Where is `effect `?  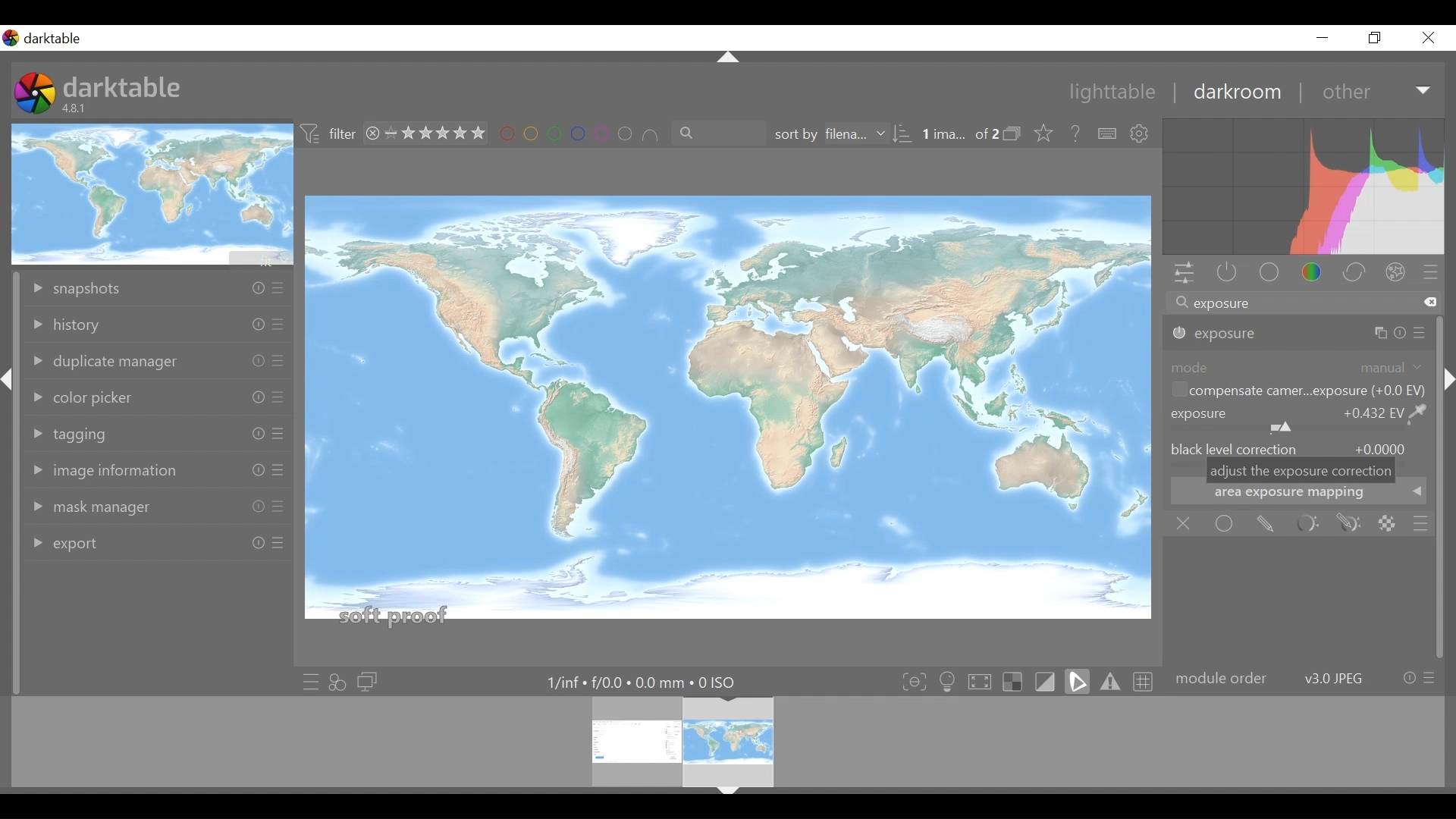 effect  is located at coordinates (1399, 275).